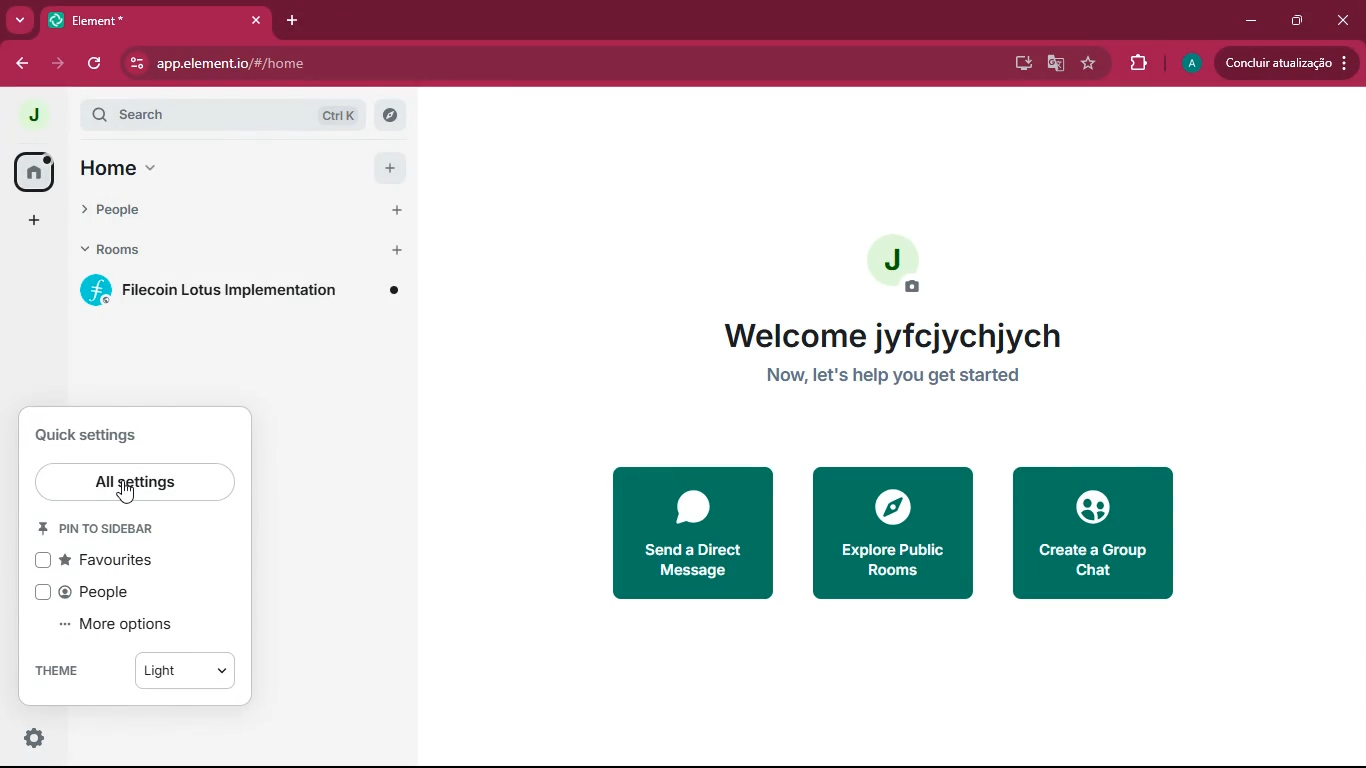  What do you see at coordinates (1089, 64) in the screenshot?
I see `favourite` at bounding box center [1089, 64].